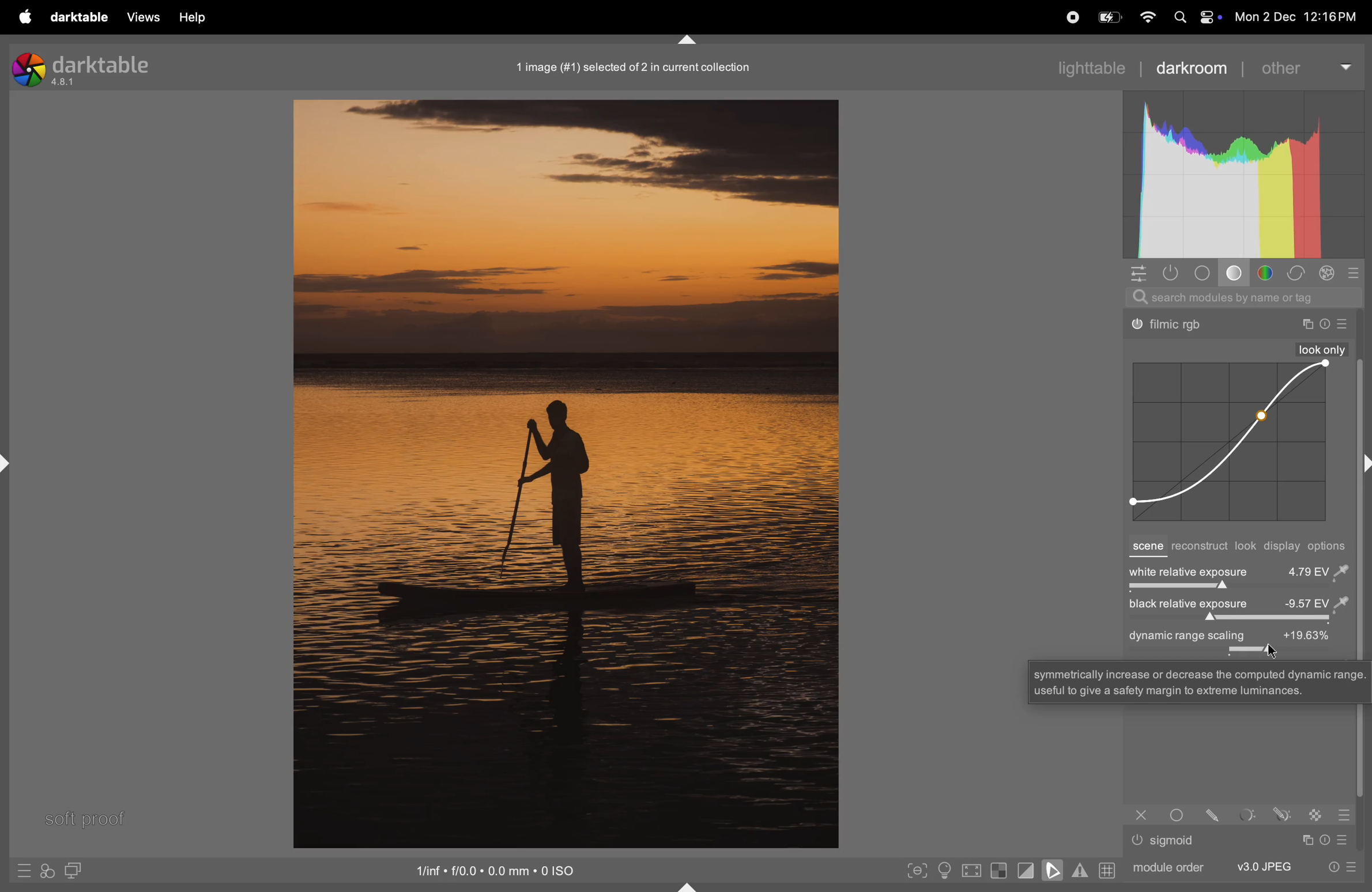  I want to click on show active modules only, so click(1173, 273).